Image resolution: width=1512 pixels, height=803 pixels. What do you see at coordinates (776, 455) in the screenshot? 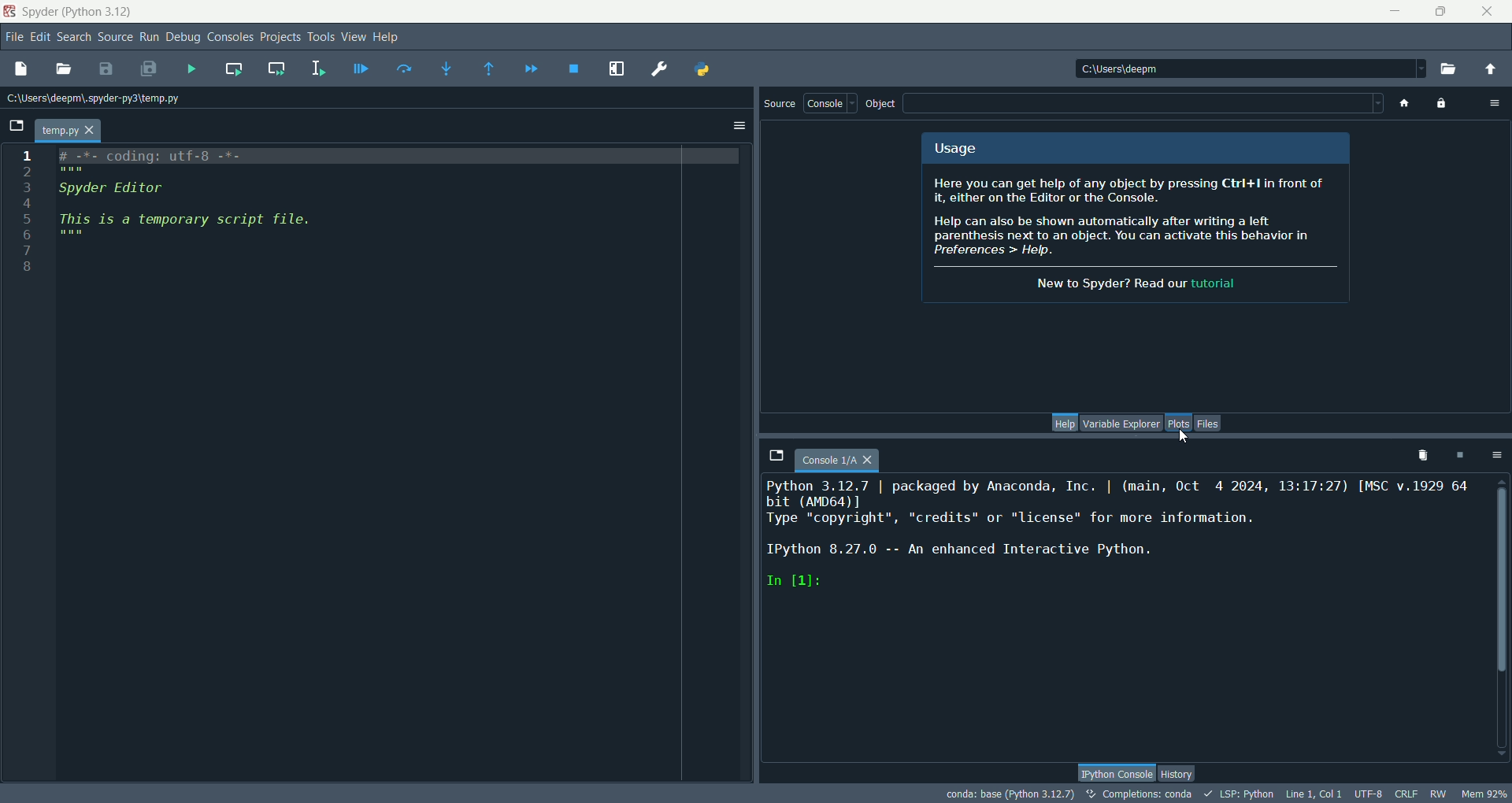
I see `browse tabs` at bounding box center [776, 455].